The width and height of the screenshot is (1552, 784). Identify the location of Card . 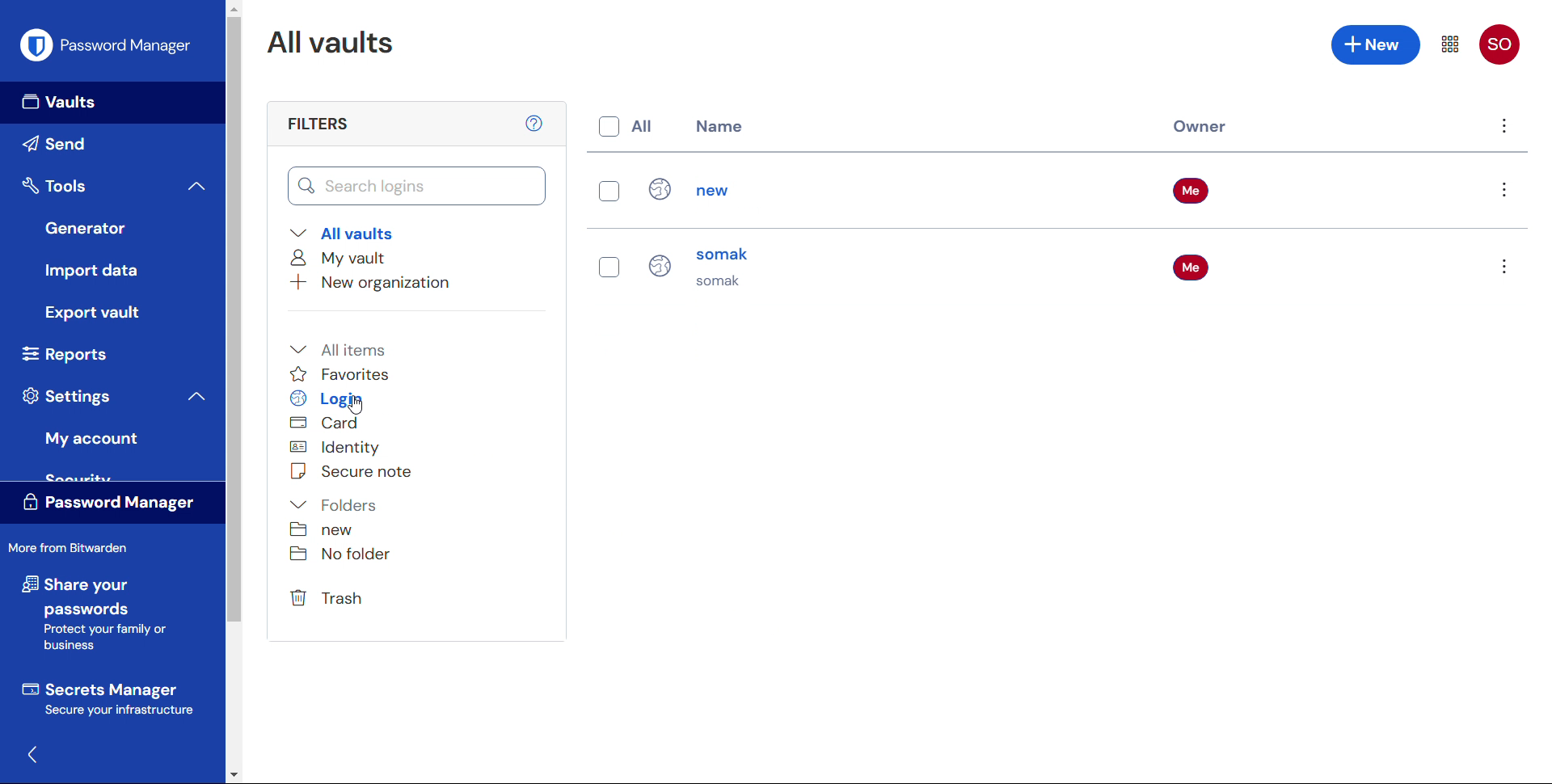
(323, 422).